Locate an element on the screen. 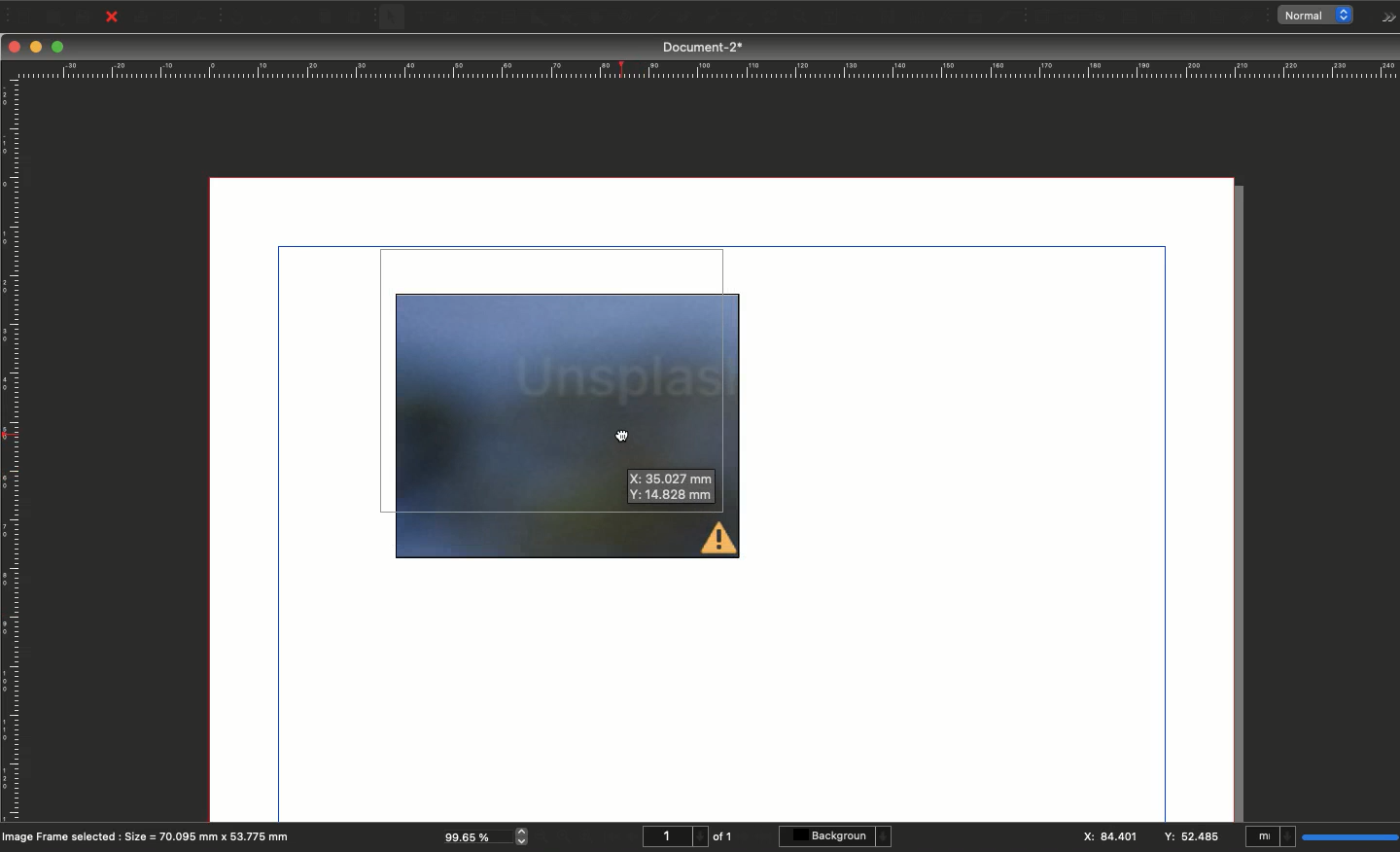  Eye dropper is located at coordinates (1004, 18).